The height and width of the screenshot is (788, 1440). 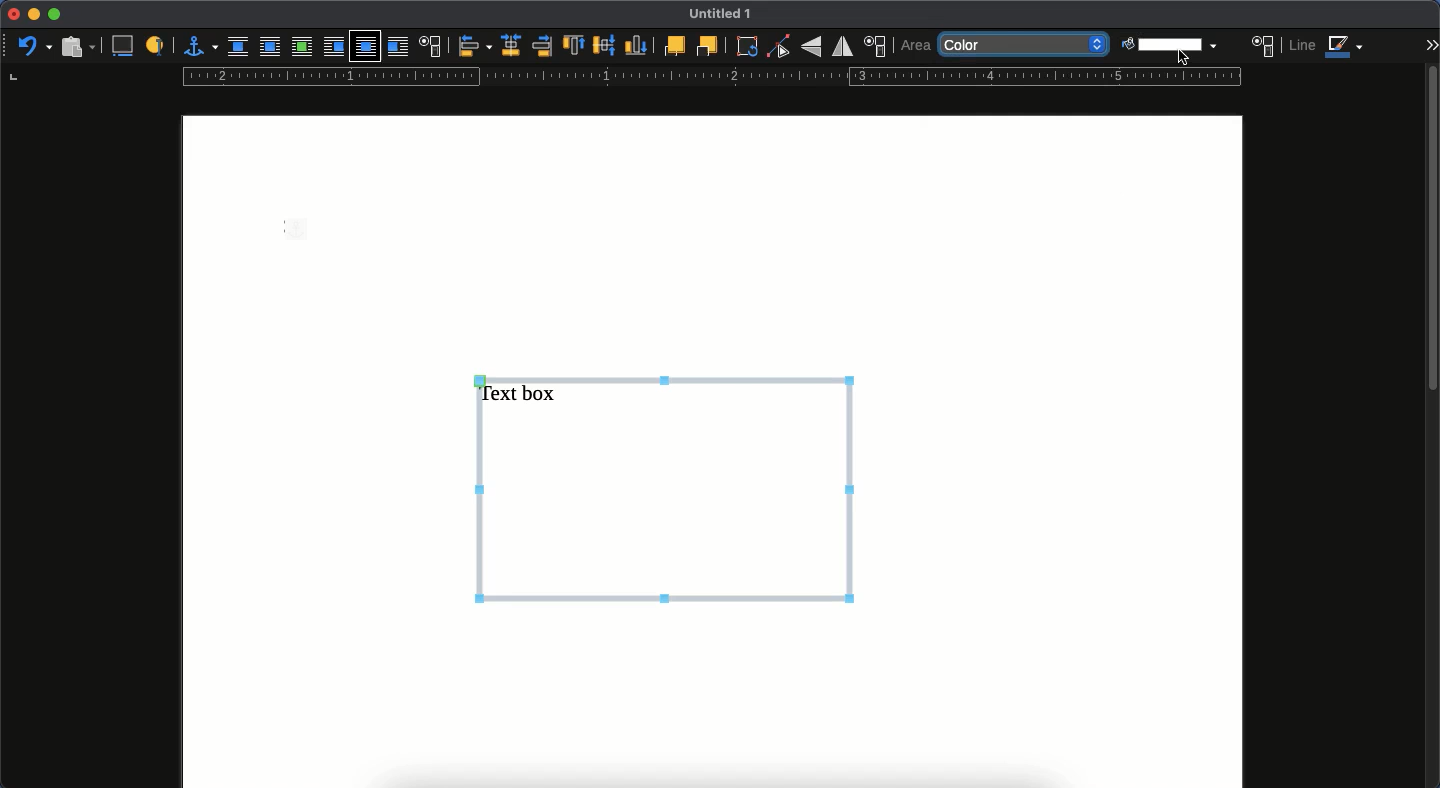 I want to click on none, so click(x=240, y=47).